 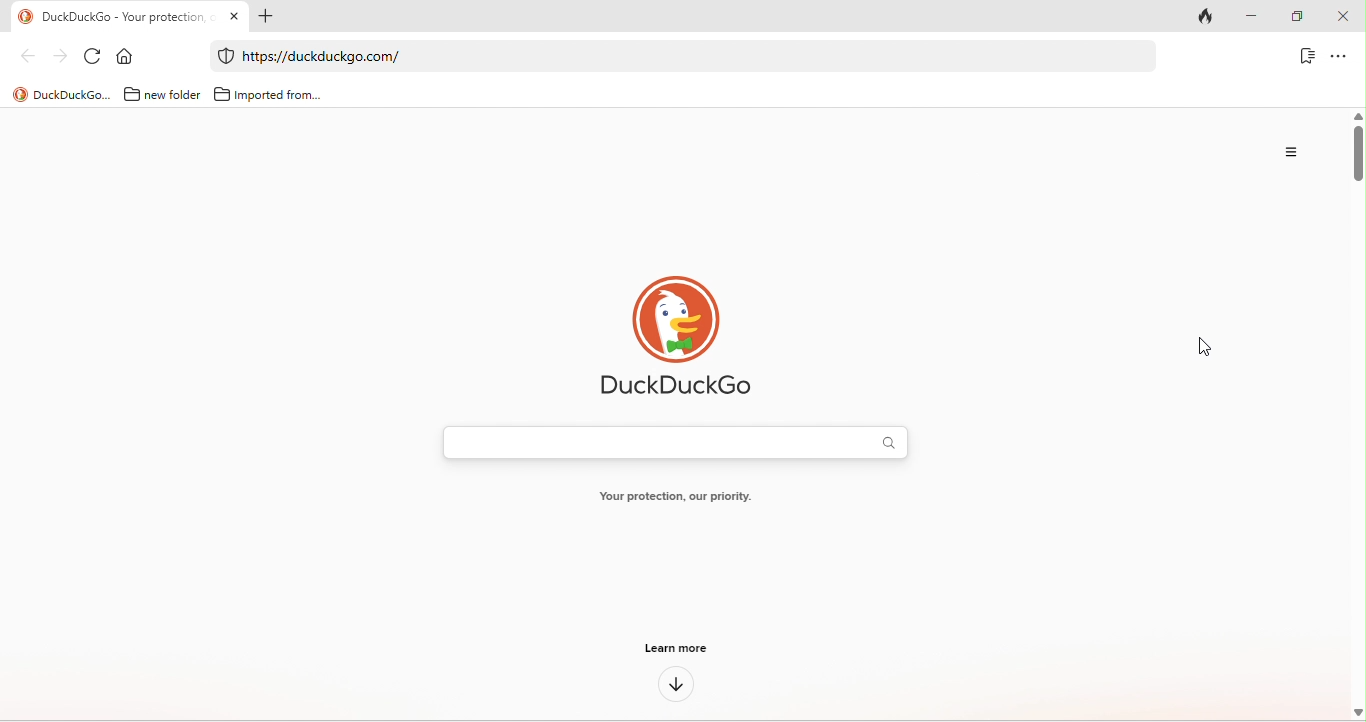 I want to click on add , so click(x=271, y=17).